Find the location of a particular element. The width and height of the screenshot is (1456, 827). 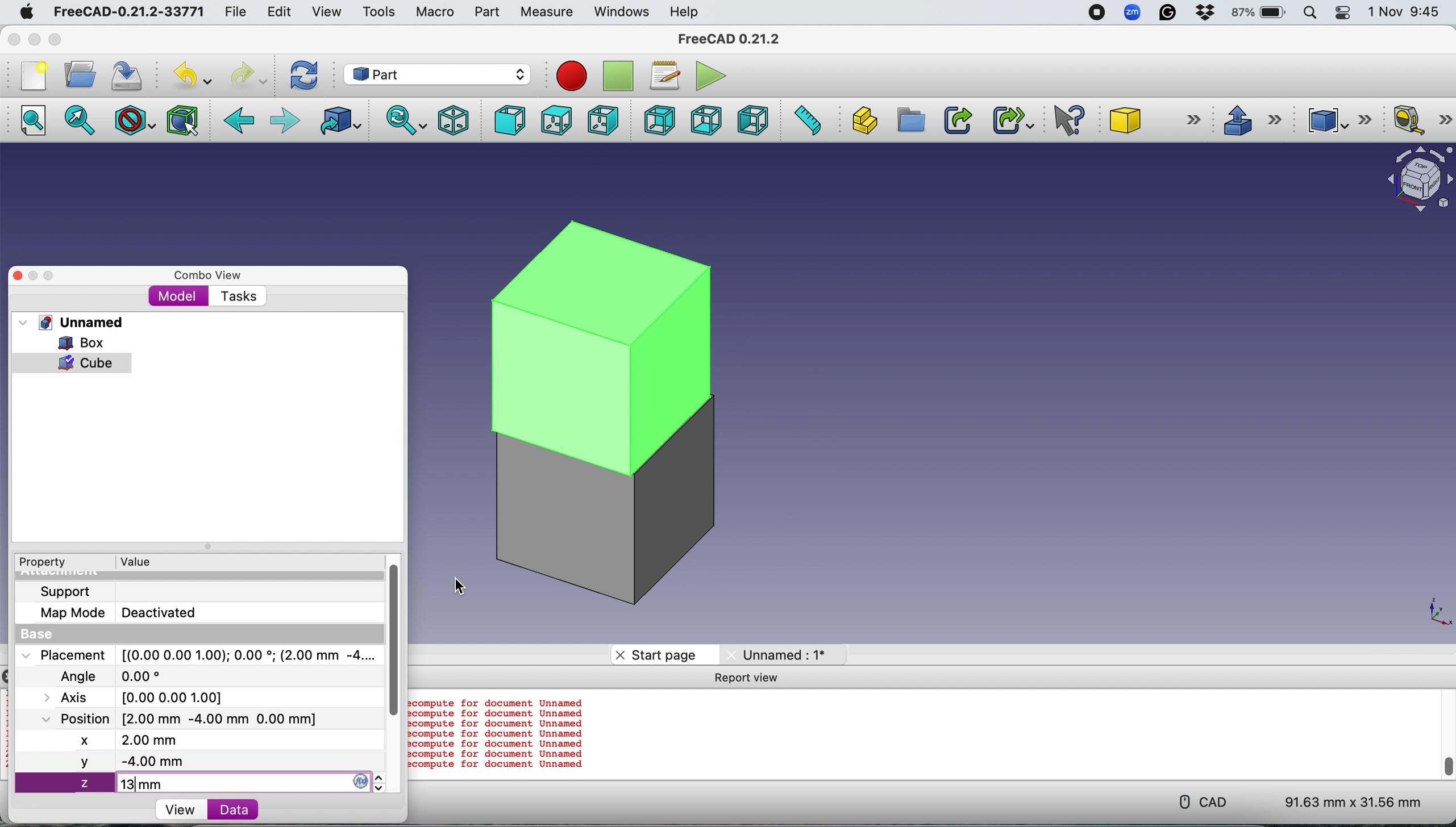

Make sub link is located at coordinates (1008, 118).